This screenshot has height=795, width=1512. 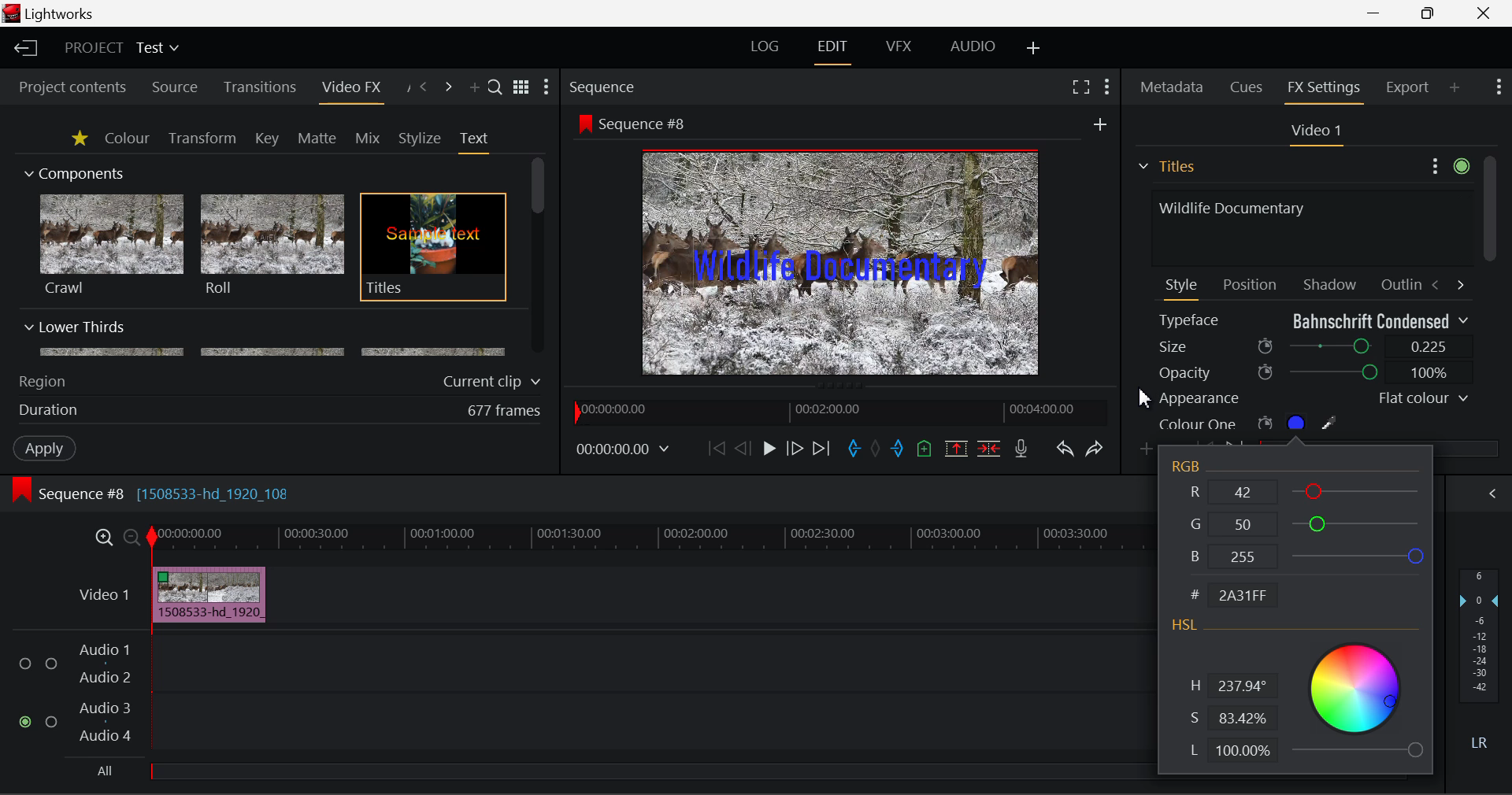 What do you see at coordinates (1314, 320) in the screenshot?
I see `Typeface` at bounding box center [1314, 320].